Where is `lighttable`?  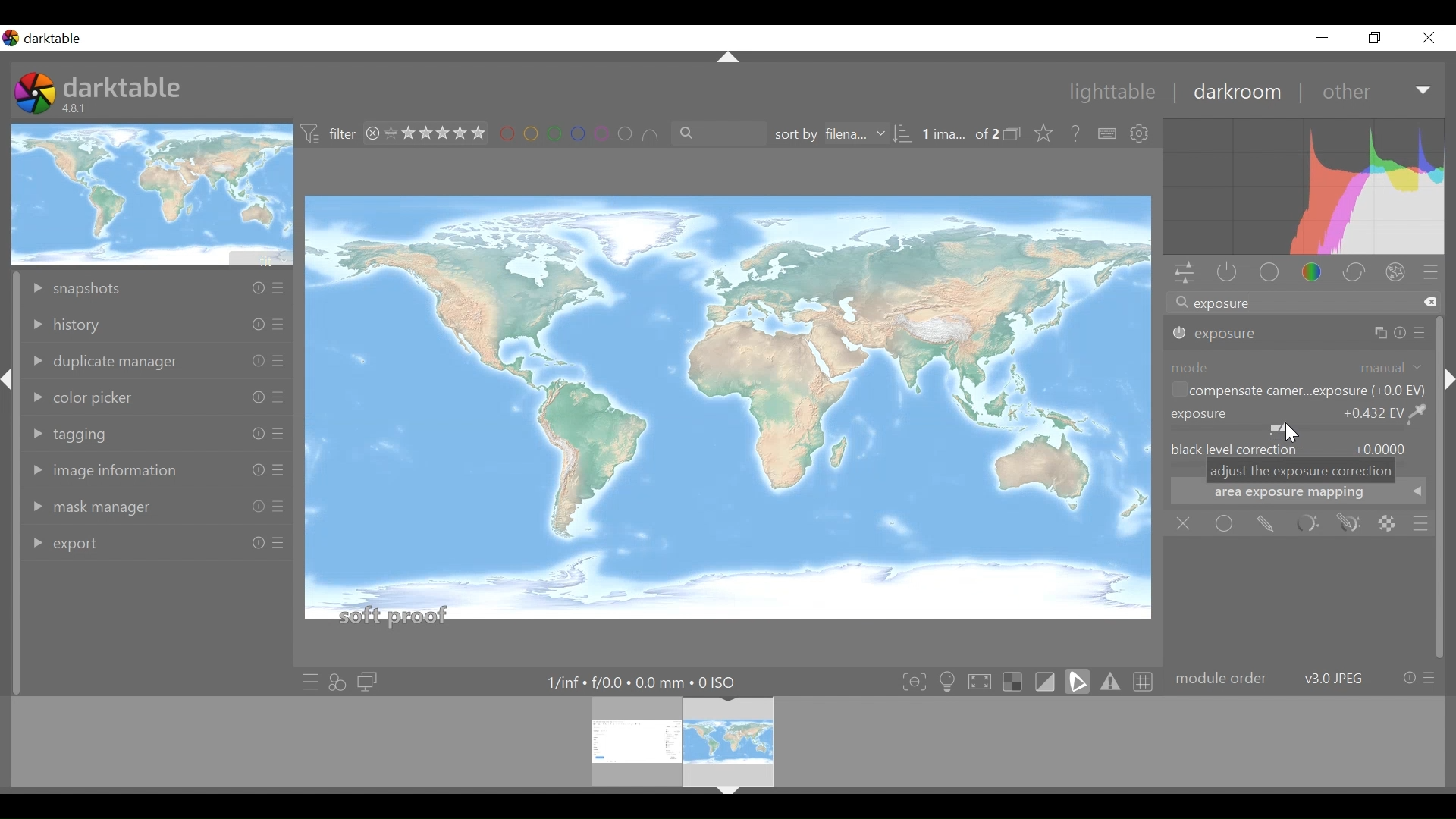
lighttable is located at coordinates (1113, 93).